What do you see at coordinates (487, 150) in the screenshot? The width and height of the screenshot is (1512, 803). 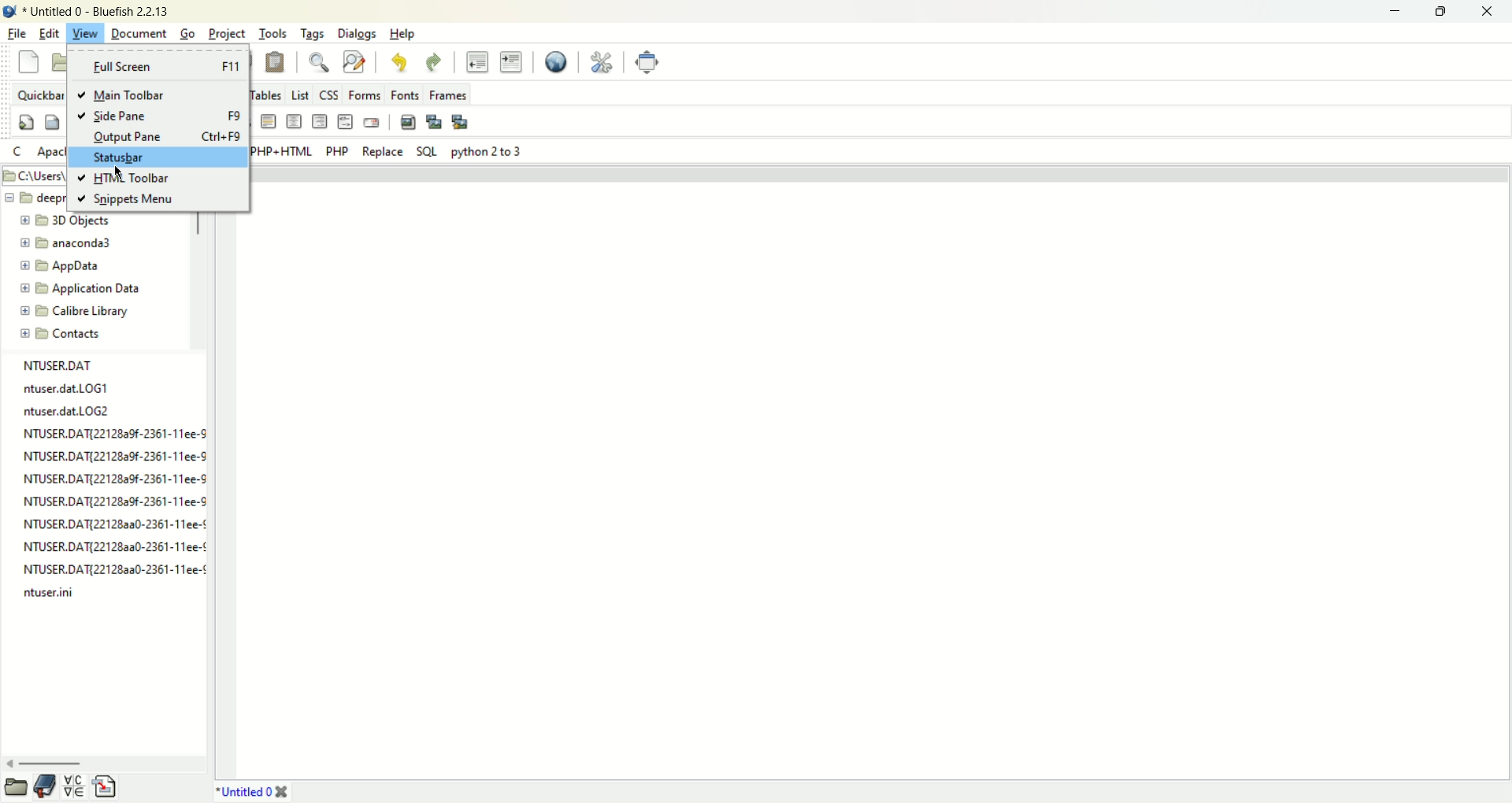 I see `Python 2 to 3` at bounding box center [487, 150].